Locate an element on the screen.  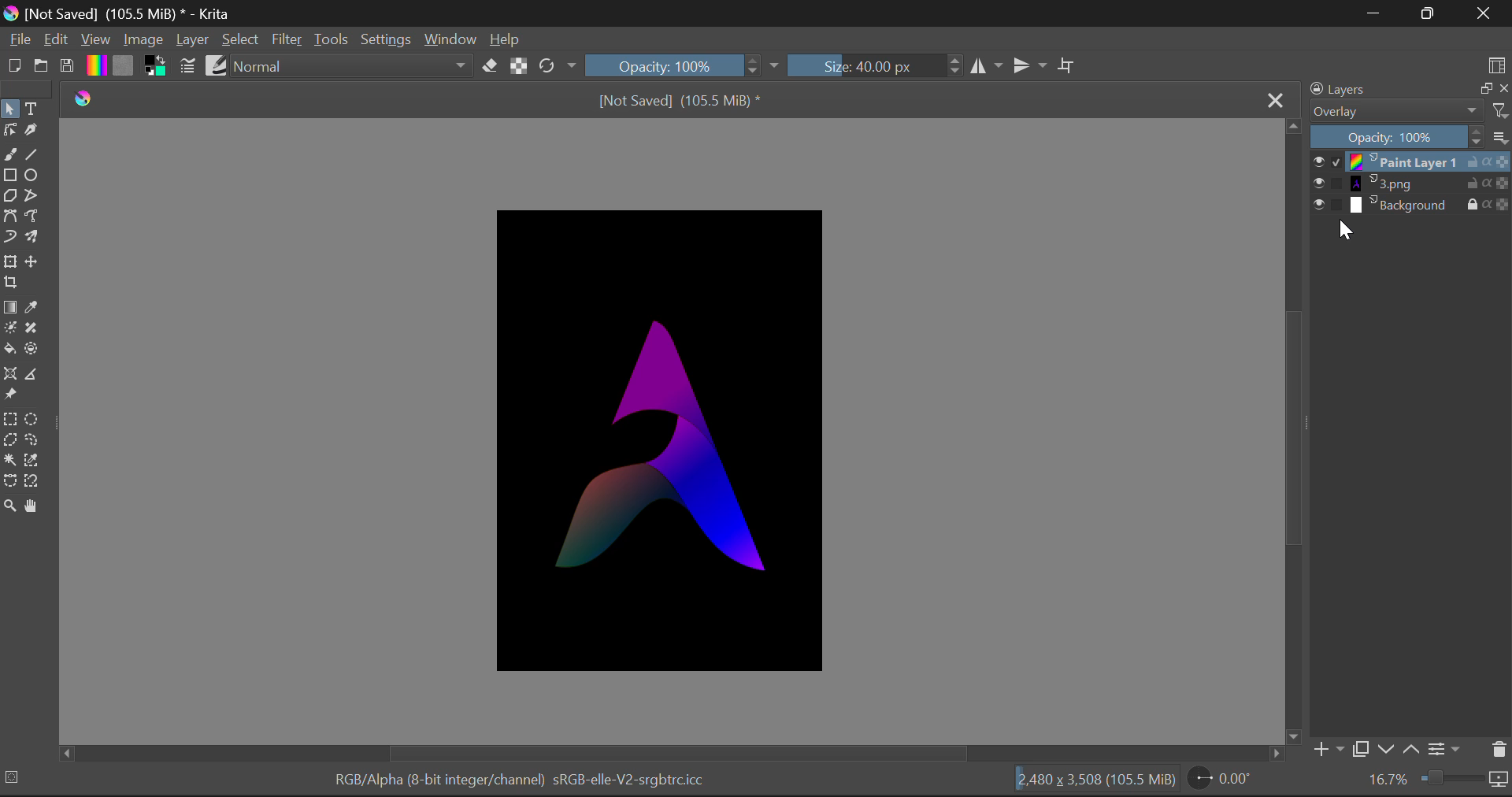
print layer 1 is located at coordinates (1403, 161).